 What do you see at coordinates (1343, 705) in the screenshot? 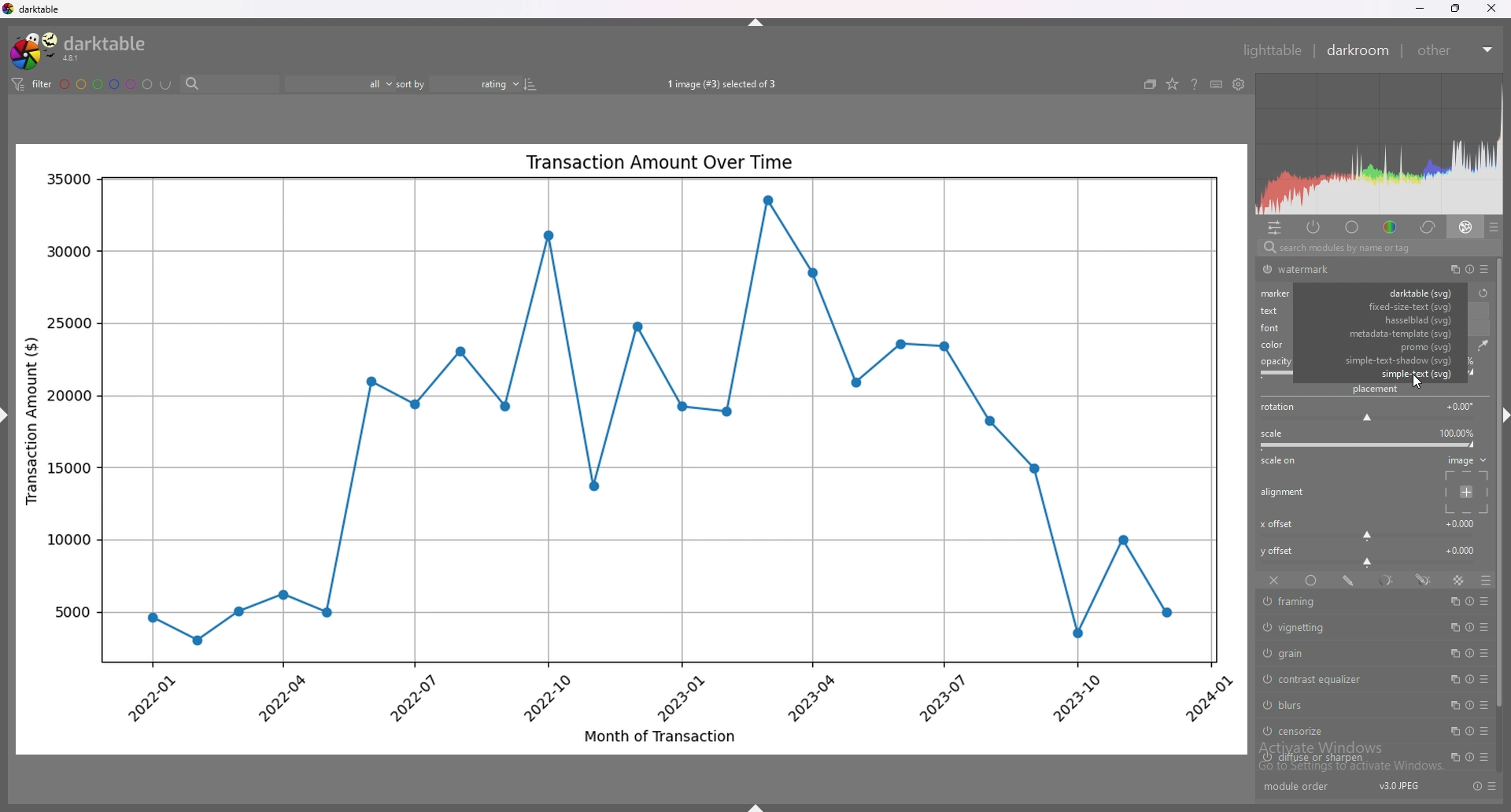
I see `blurs` at bounding box center [1343, 705].